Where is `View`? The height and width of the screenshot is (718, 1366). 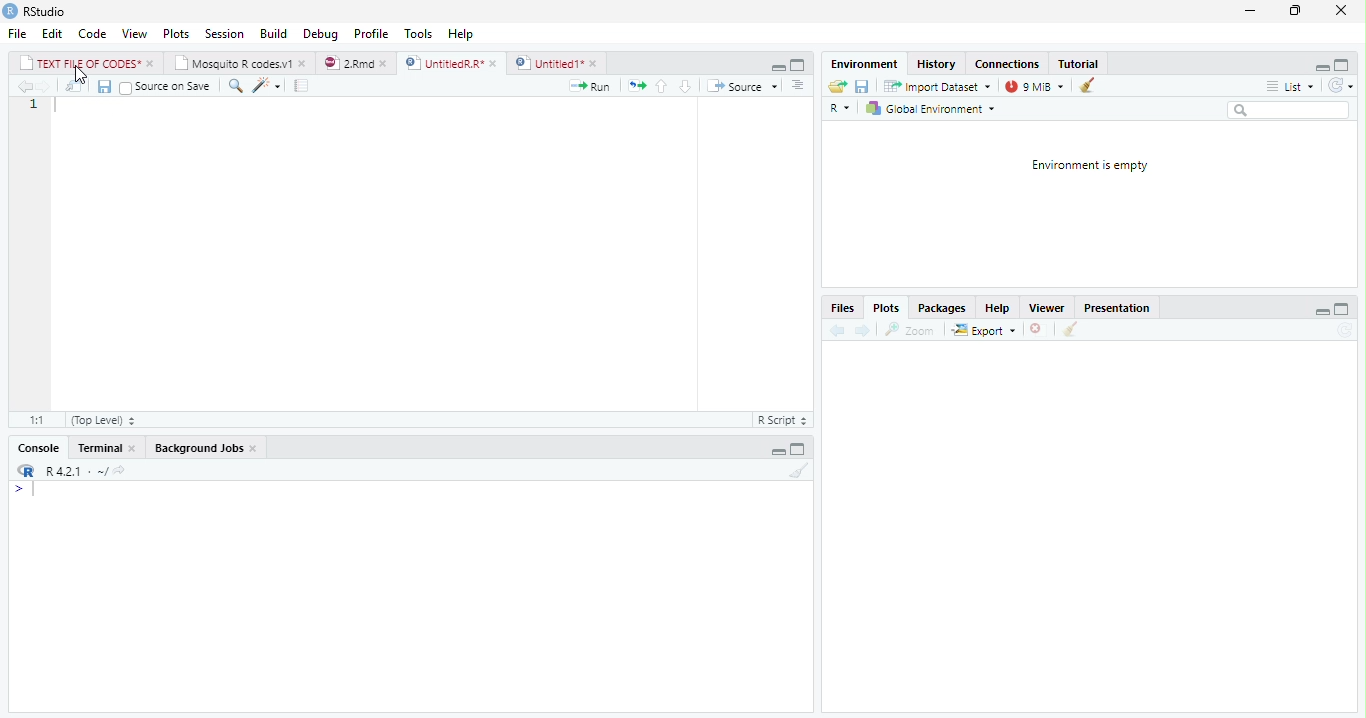
View is located at coordinates (135, 32).